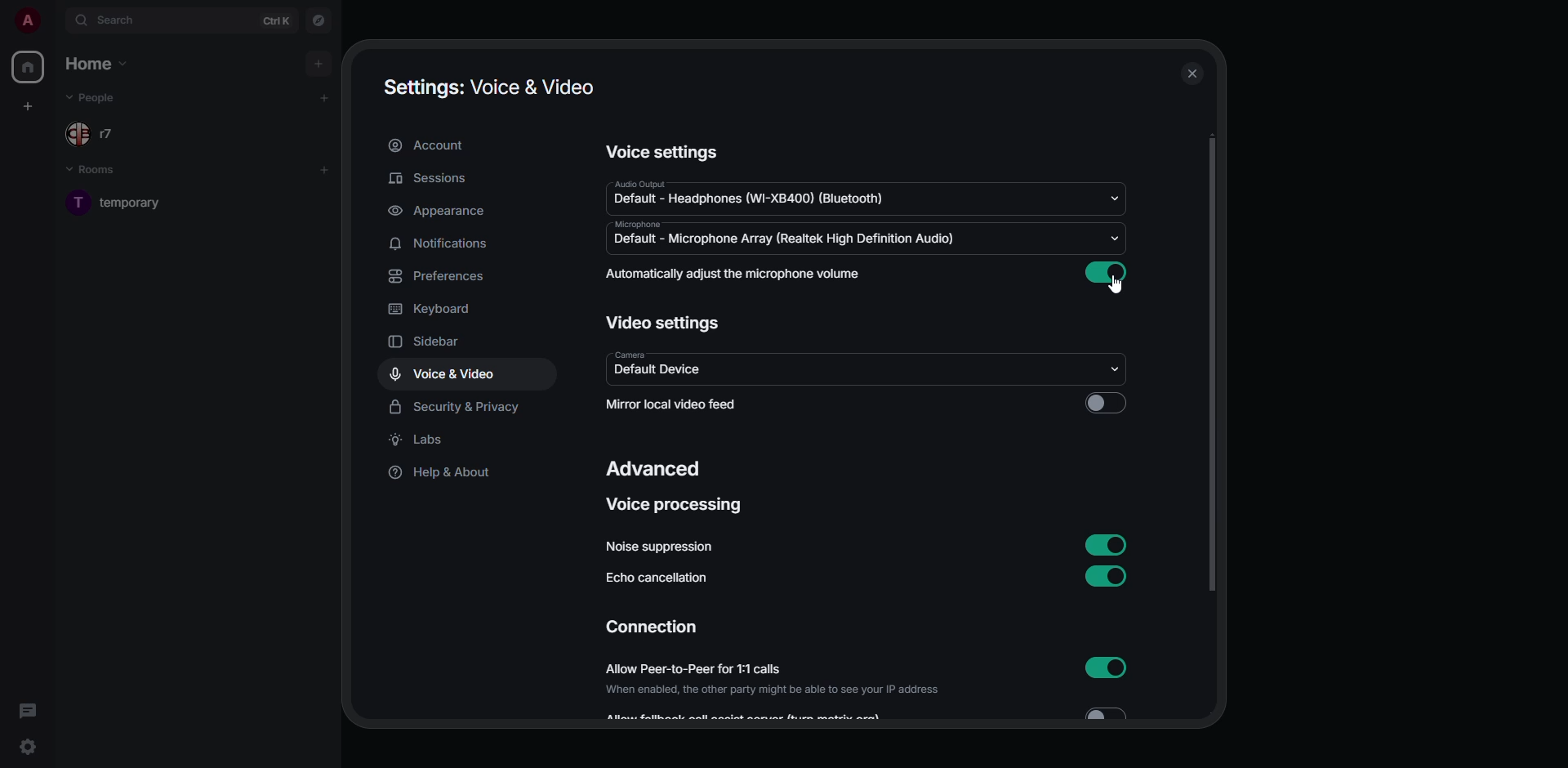 This screenshot has width=1568, height=768. What do you see at coordinates (662, 546) in the screenshot?
I see `noise suppression` at bounding box center [662, 546].